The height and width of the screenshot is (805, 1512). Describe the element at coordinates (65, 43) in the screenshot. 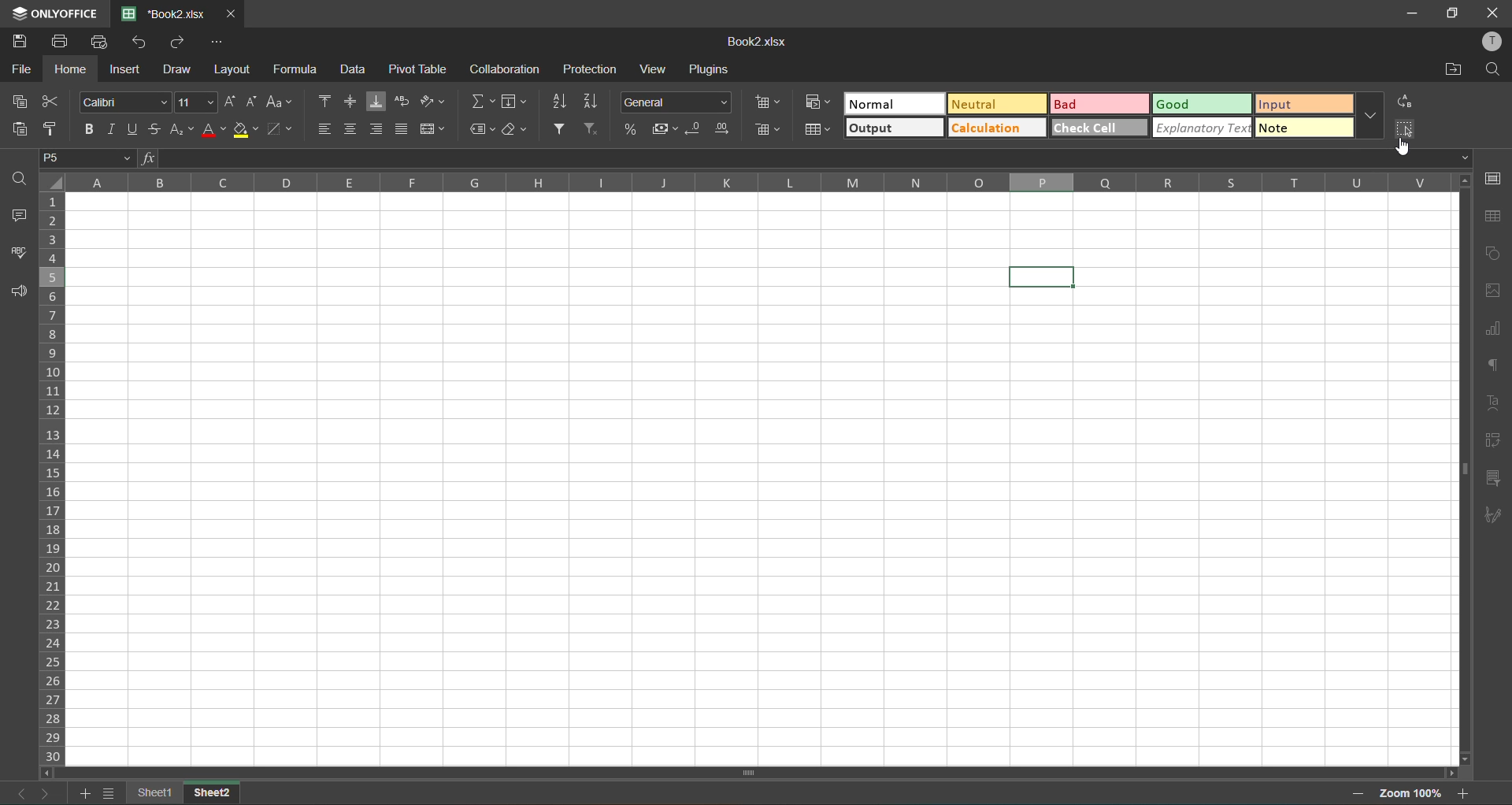

I see `print` at that location.